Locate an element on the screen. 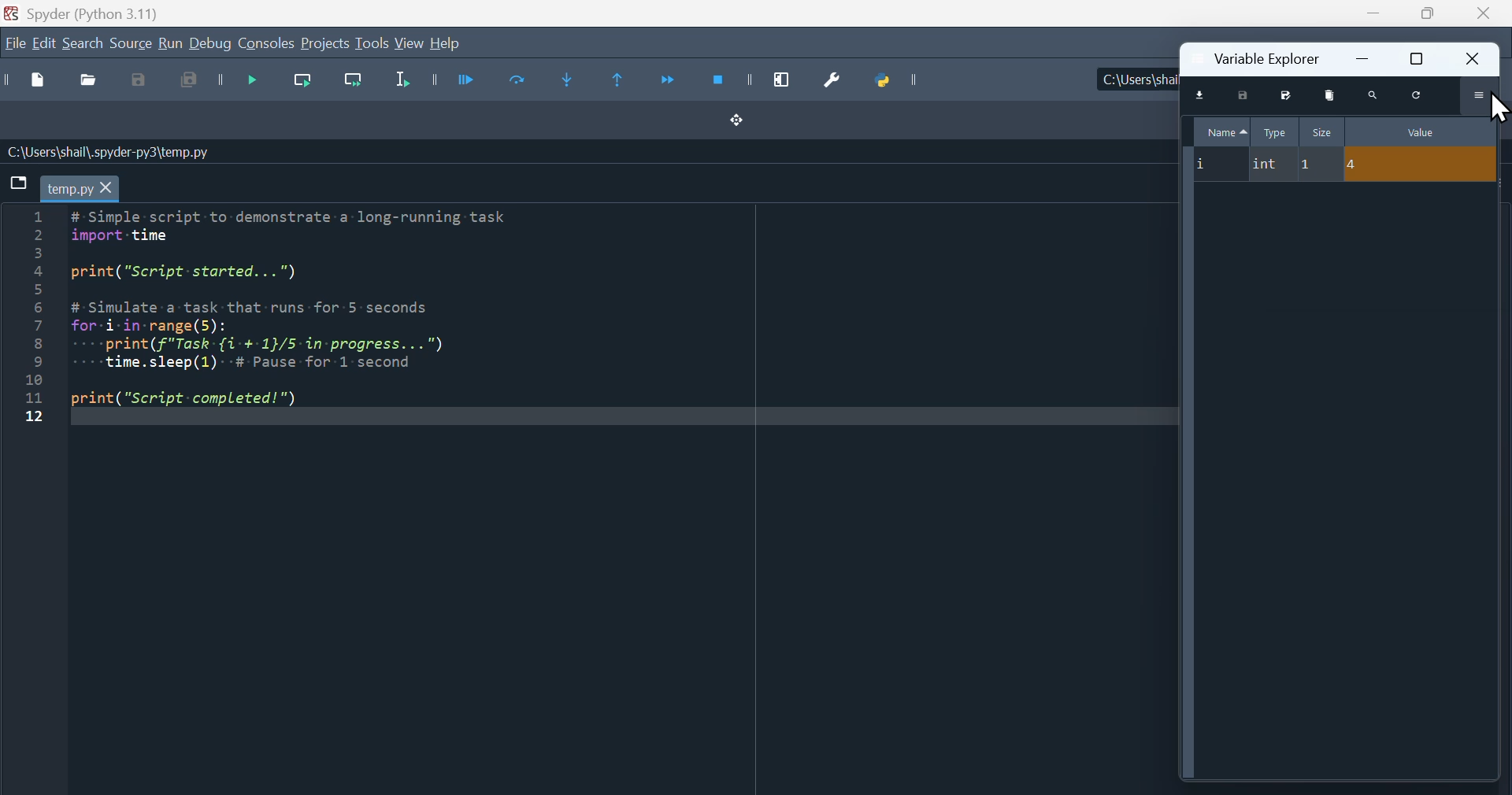  1 is located at coordinates (1319, 165).